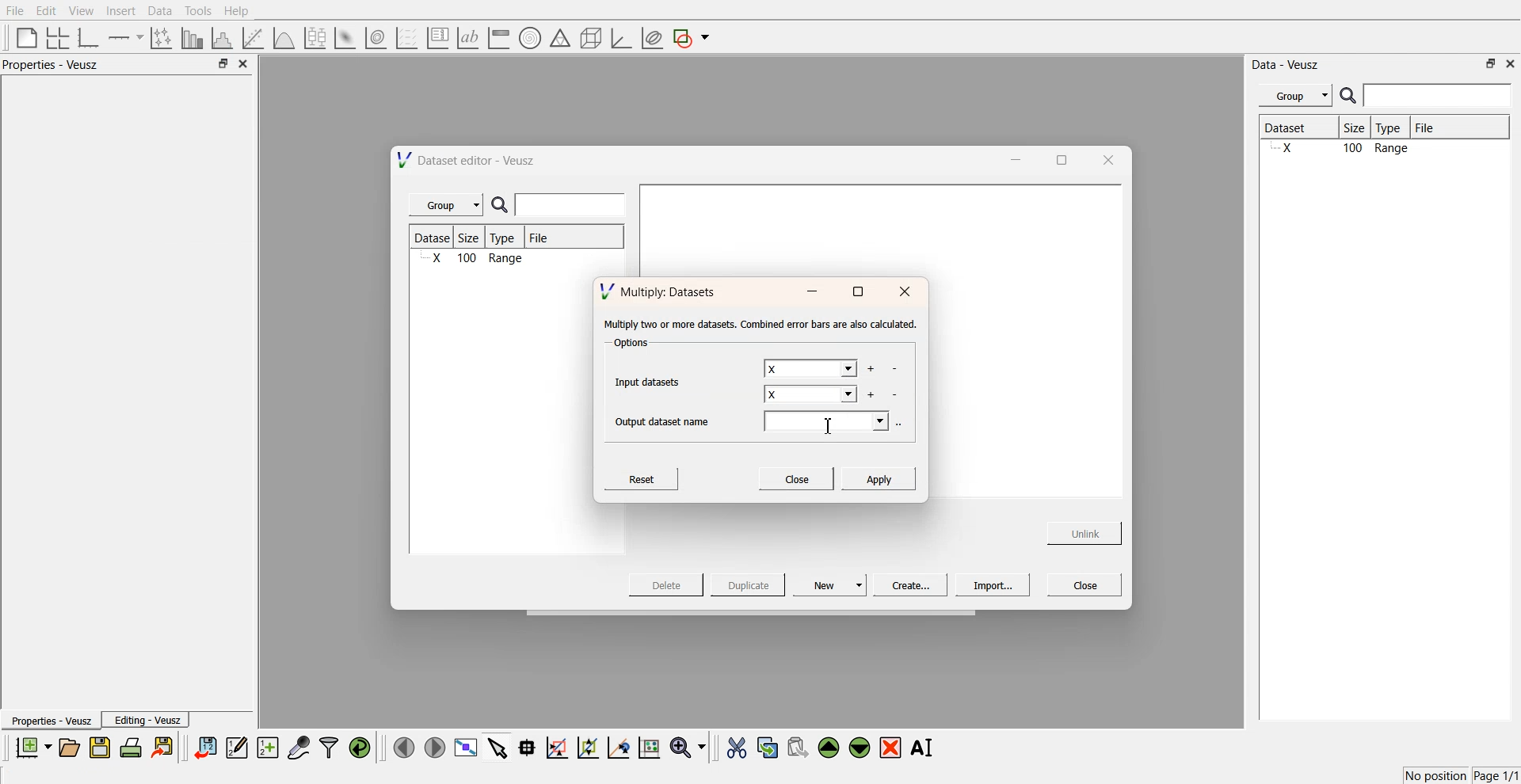 Image resolution: width=1521 pixels, height=784 pixels. Describe the element at coordinates (237, 749) in the screenshot. I see `edit and enter data points` at that location.